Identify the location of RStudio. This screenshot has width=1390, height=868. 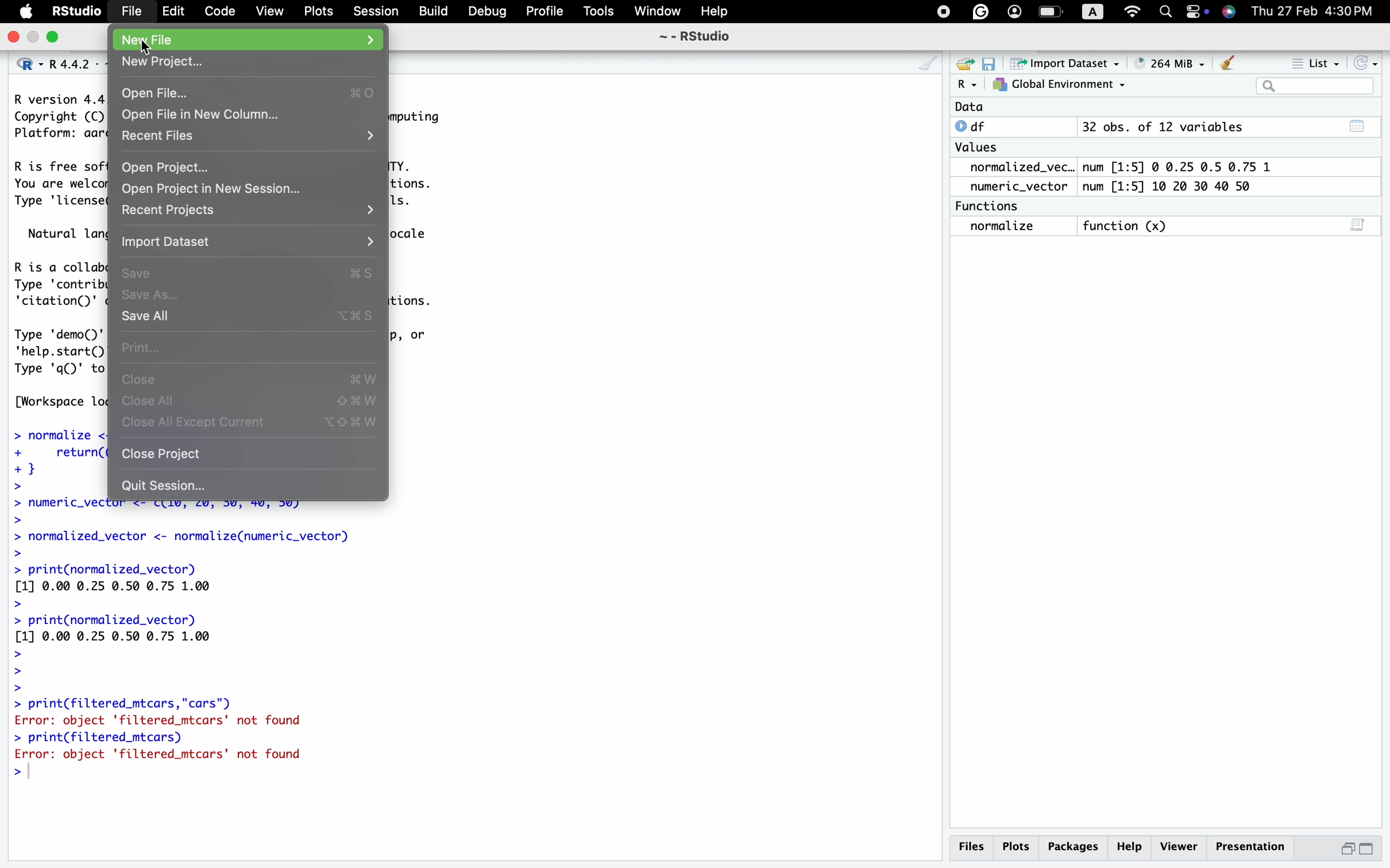
(77, 10).